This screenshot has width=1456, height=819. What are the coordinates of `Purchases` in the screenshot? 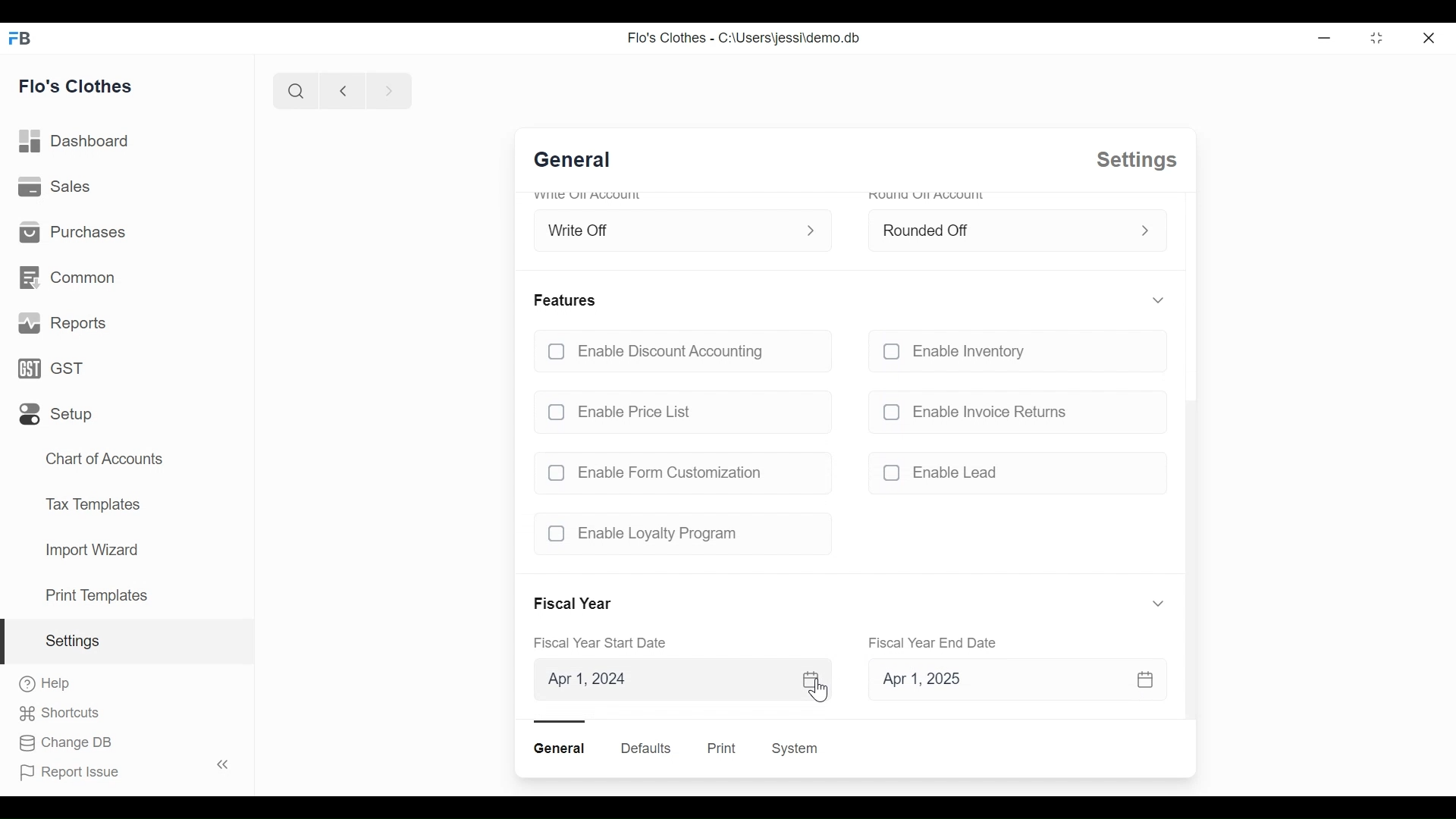 It's located at (71, 233).